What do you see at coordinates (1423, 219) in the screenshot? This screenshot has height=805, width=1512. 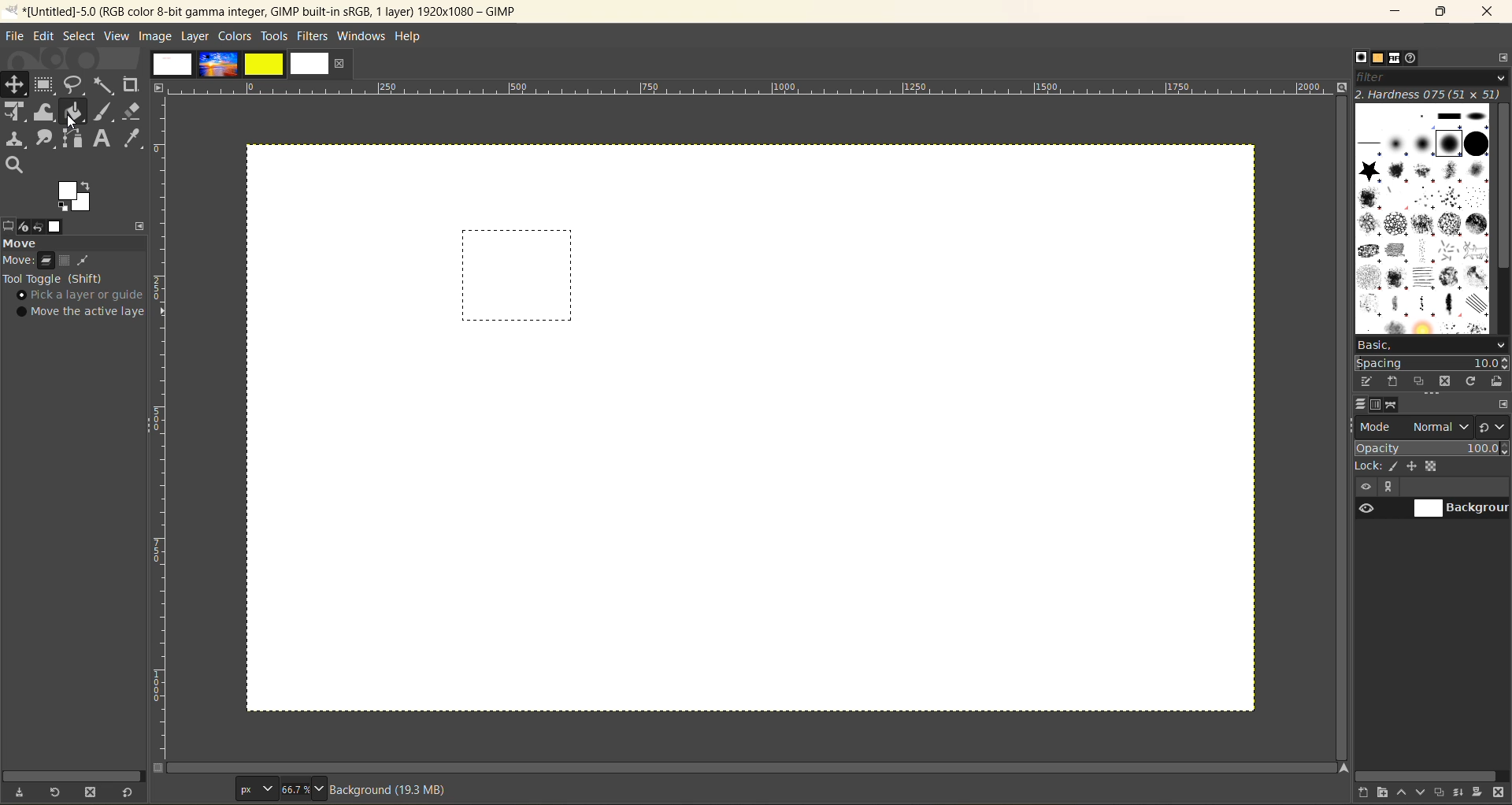 I see `brushes` at bounding box center [1423, 219].